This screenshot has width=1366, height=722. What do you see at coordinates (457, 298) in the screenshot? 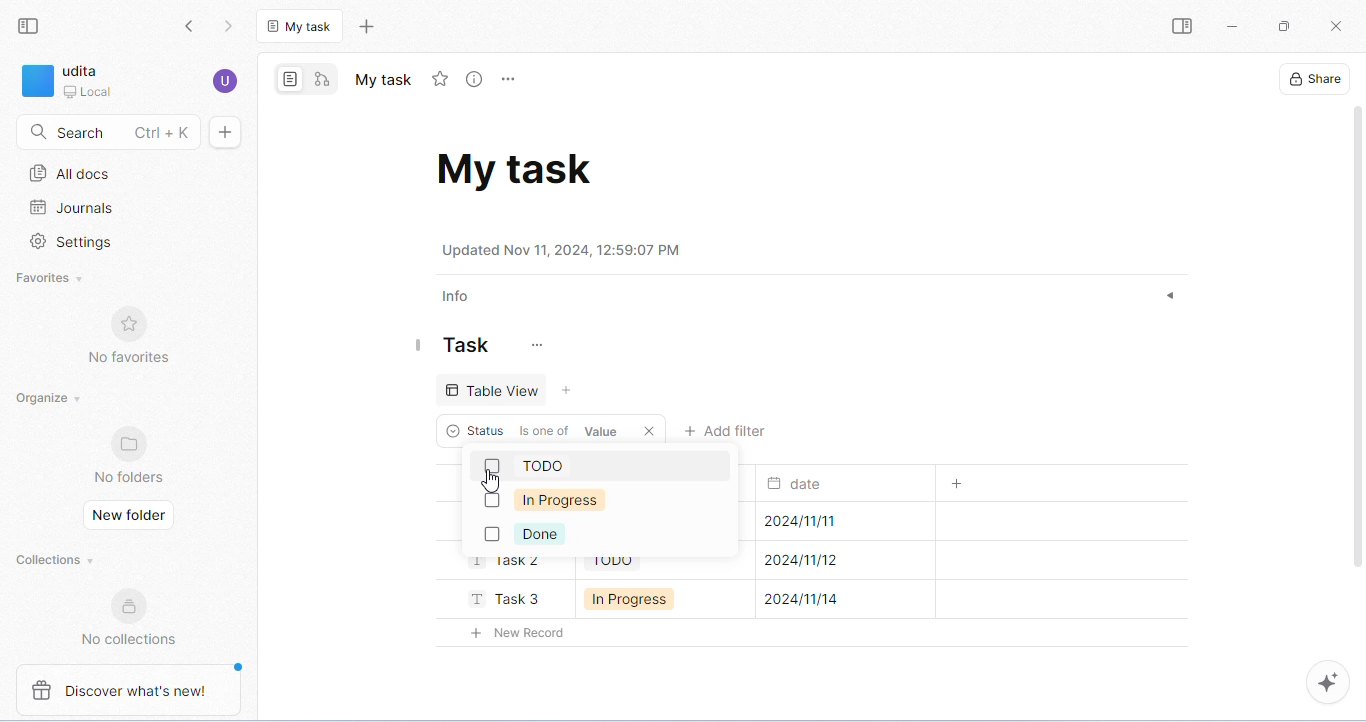
I see `info` at bounding box center [457, 298].